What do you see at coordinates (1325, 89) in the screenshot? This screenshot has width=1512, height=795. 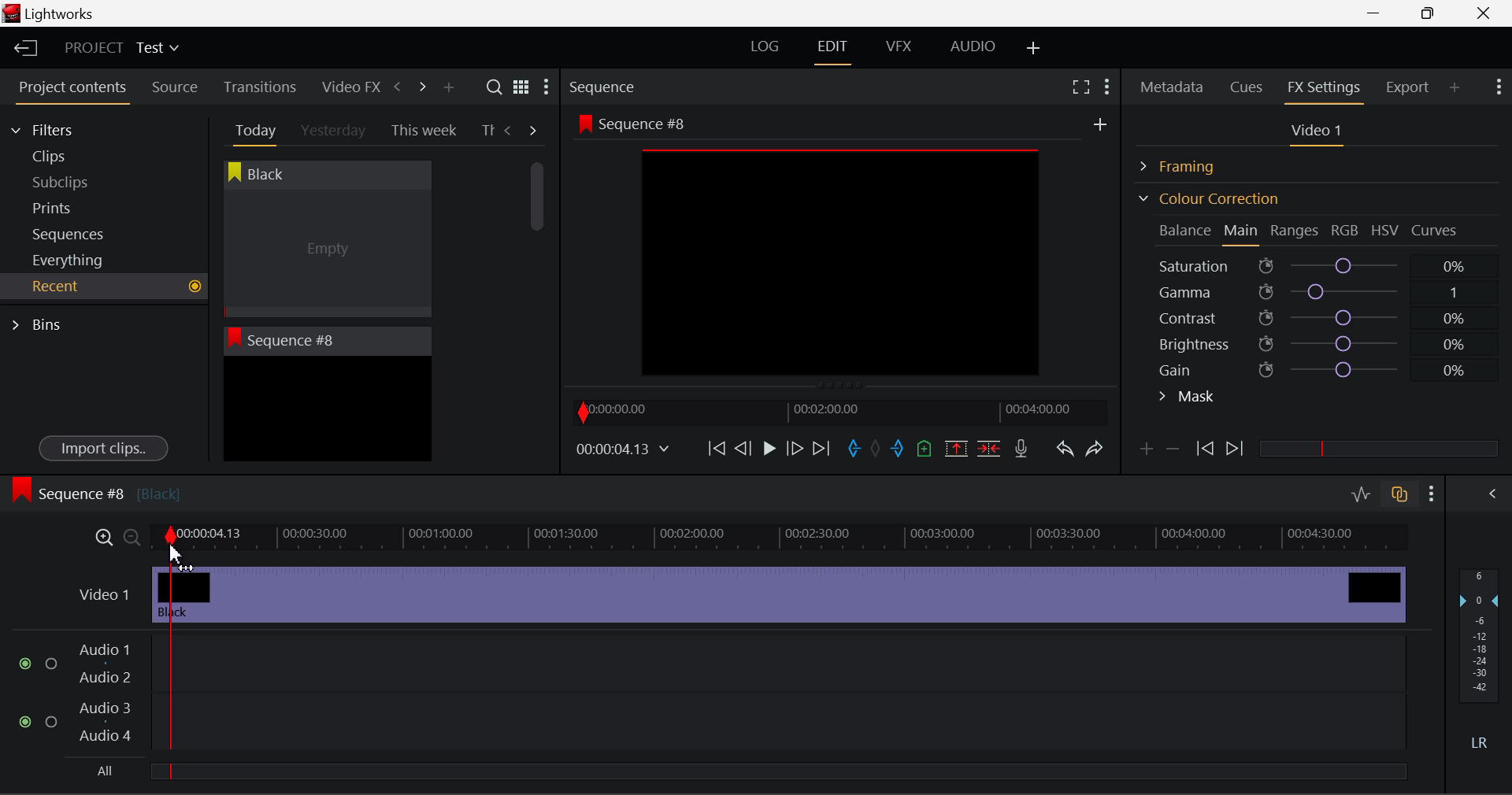 I see `FX Settings Panel Open` at bounding box center [1325, 89].